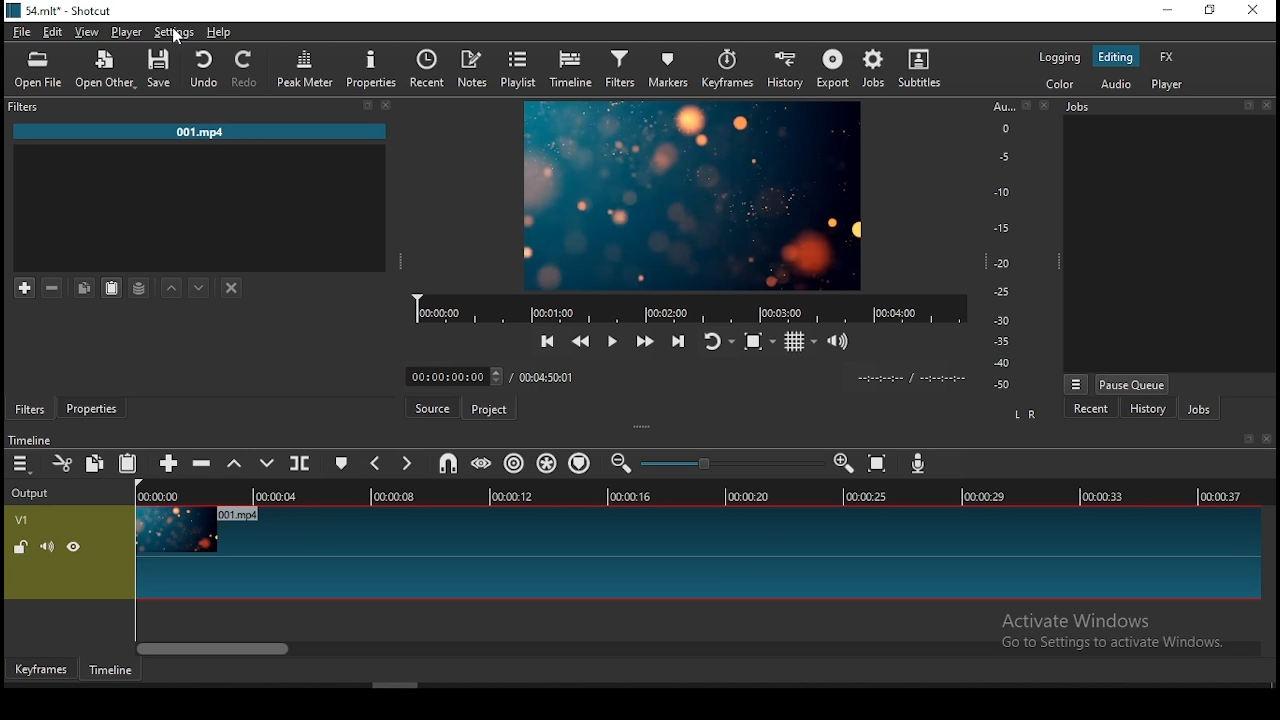 This screenshot has height=720, width=1280. I want to click on skip to the next point, so click(678, 342).